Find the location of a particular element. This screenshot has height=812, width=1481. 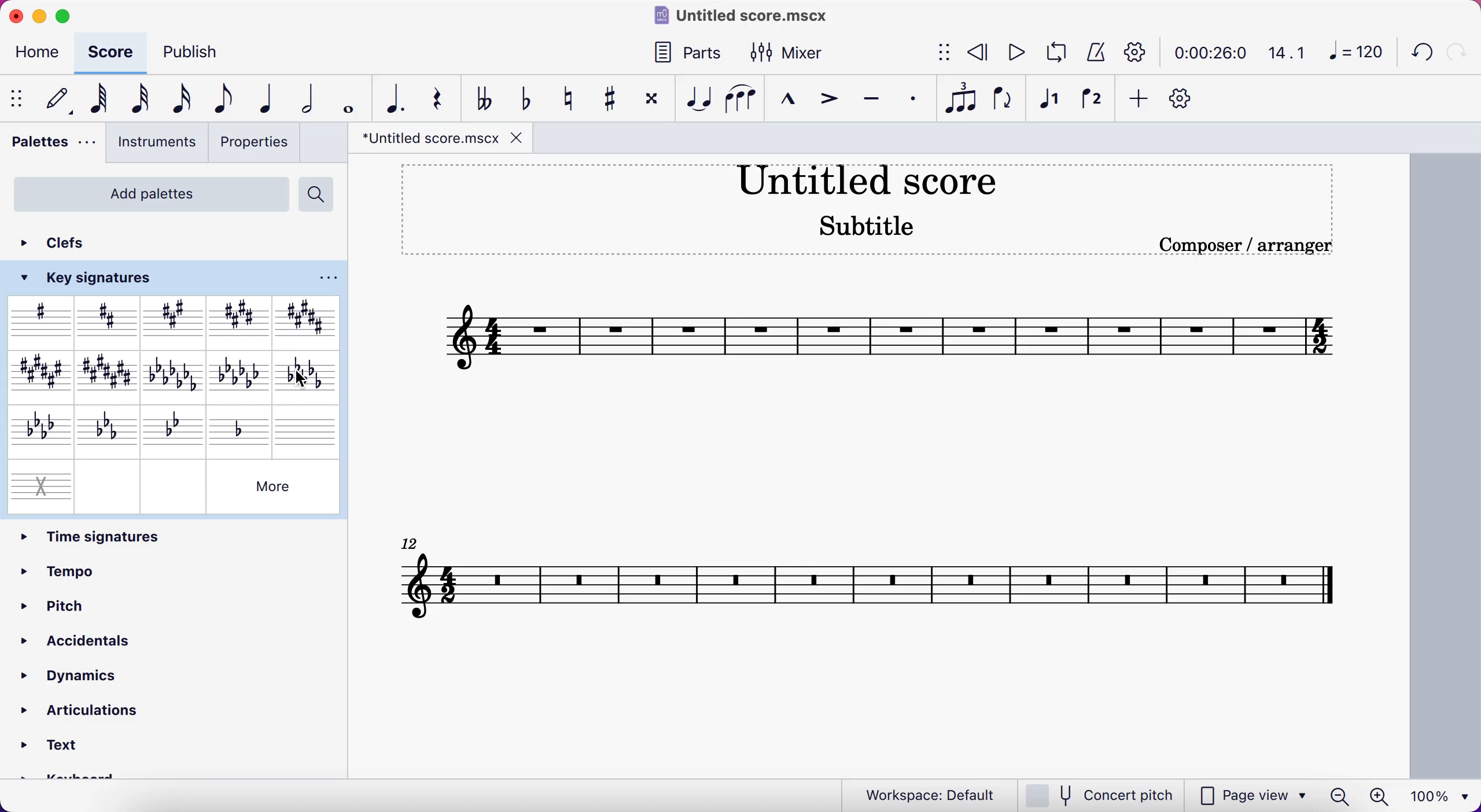

instruments is located at coordinates (156, 146).